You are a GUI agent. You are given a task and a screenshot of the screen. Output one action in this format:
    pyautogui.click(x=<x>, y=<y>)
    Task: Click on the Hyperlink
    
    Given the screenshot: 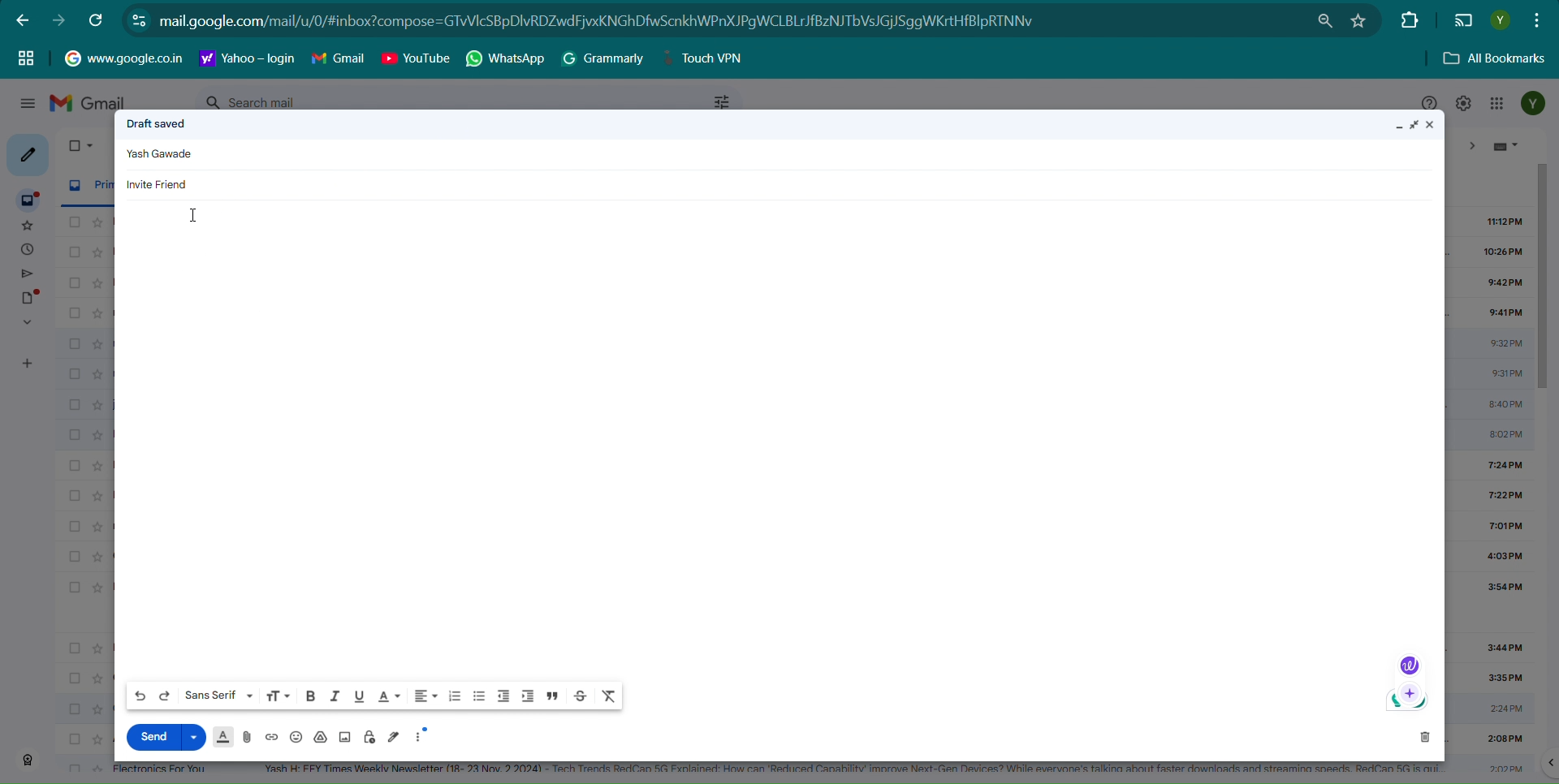 What is the action you would take?
    pyautogui.click(x=248, y=58)
    